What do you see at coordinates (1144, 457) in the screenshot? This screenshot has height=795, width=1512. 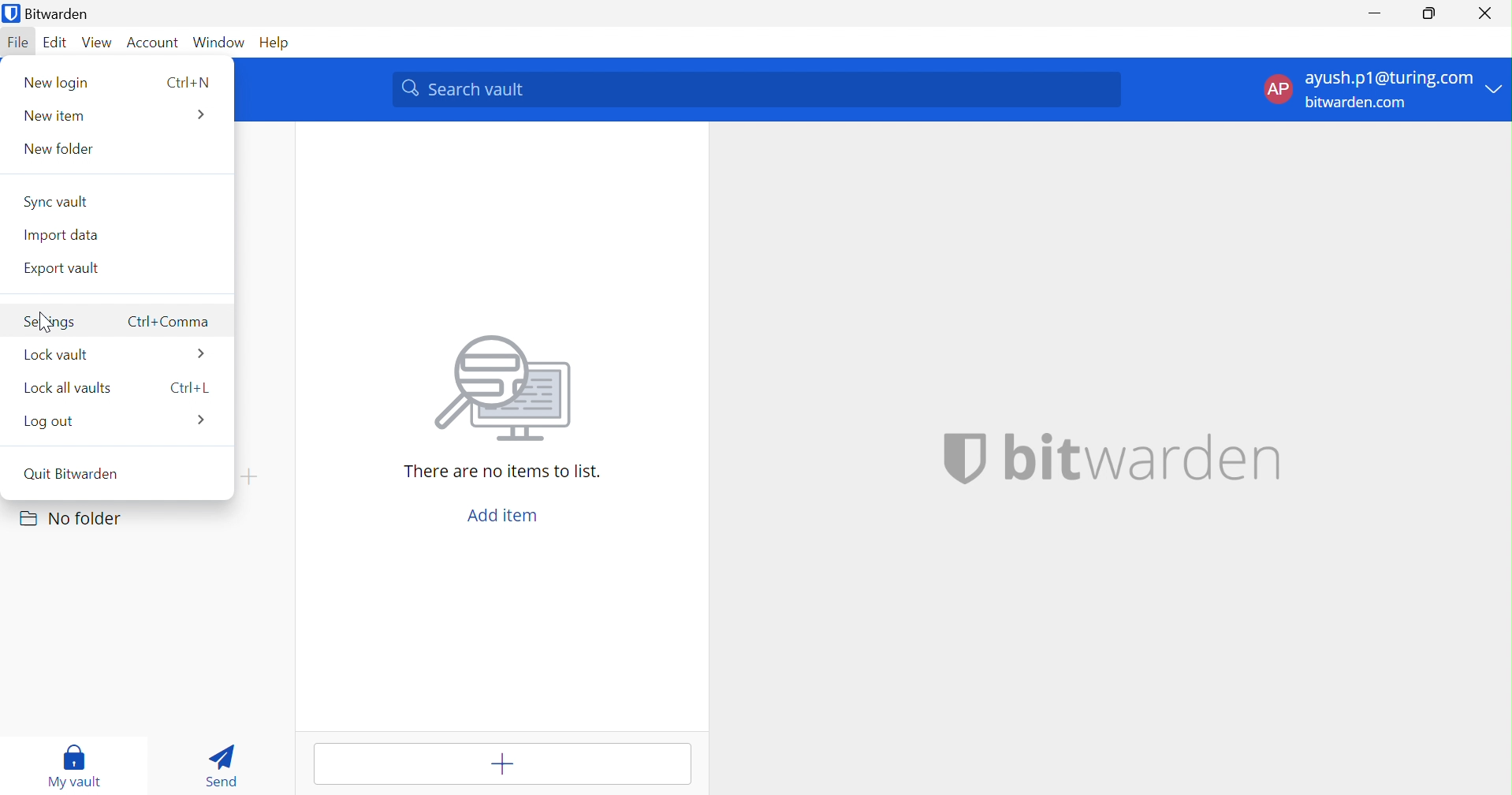 I see `bitwarden` at bounding box center [1144, 457].